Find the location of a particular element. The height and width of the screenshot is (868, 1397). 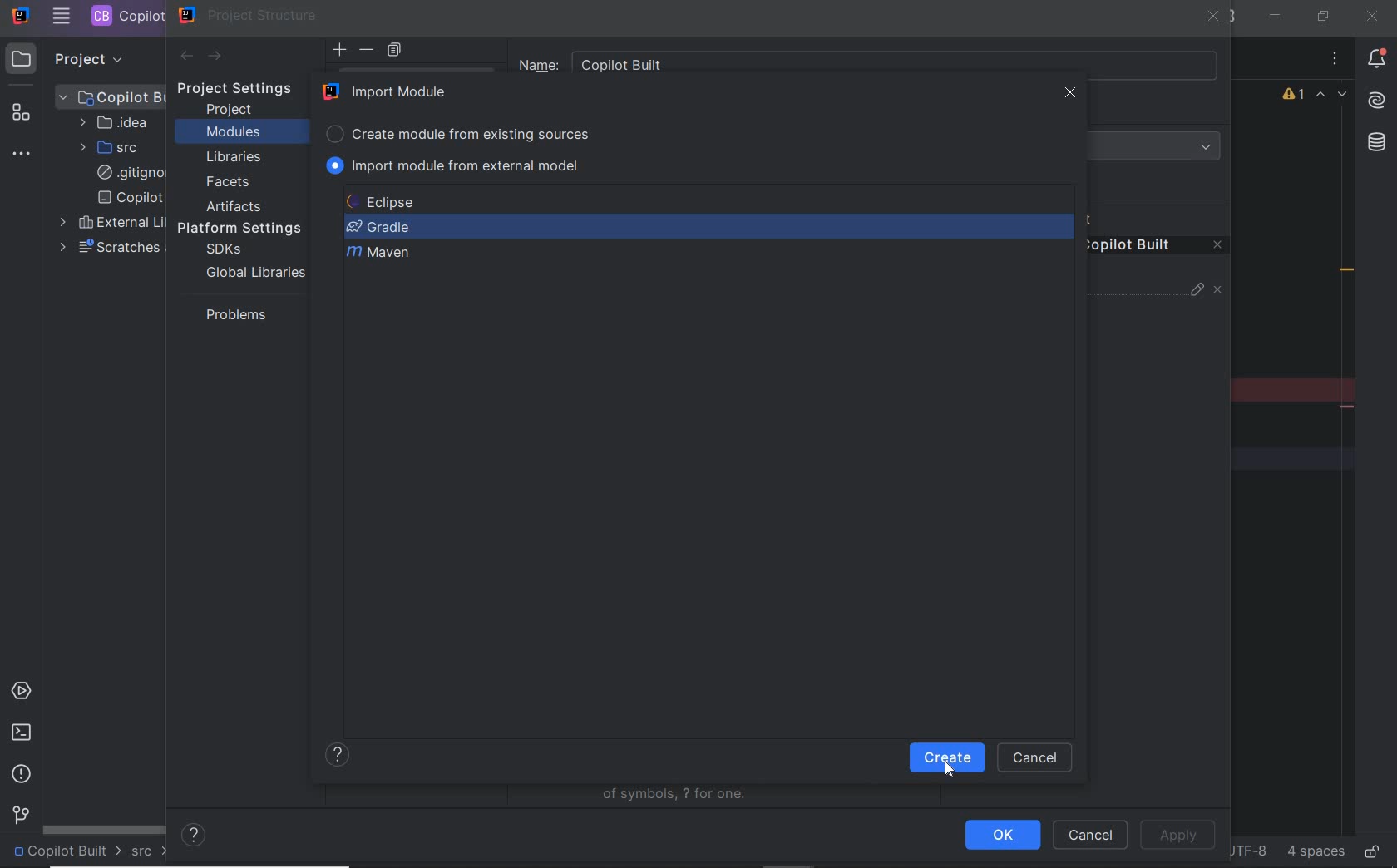

unmark source is located at coordinates (1221, 290).